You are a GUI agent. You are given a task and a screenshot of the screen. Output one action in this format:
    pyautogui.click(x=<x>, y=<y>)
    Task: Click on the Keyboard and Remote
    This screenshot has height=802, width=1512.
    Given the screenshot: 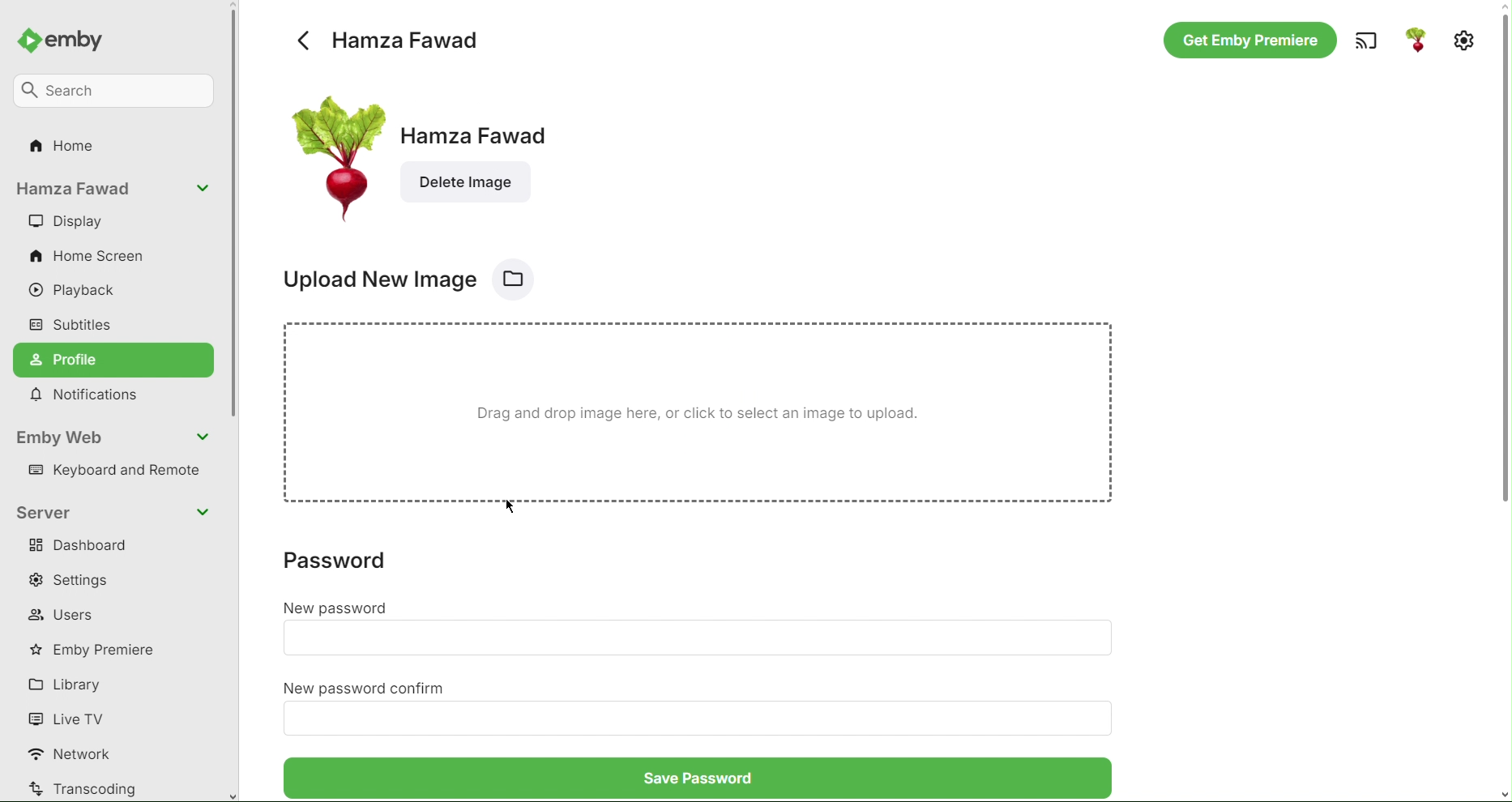 What is the action you would take?
    pyautogui.click(x=119, y=472)
    